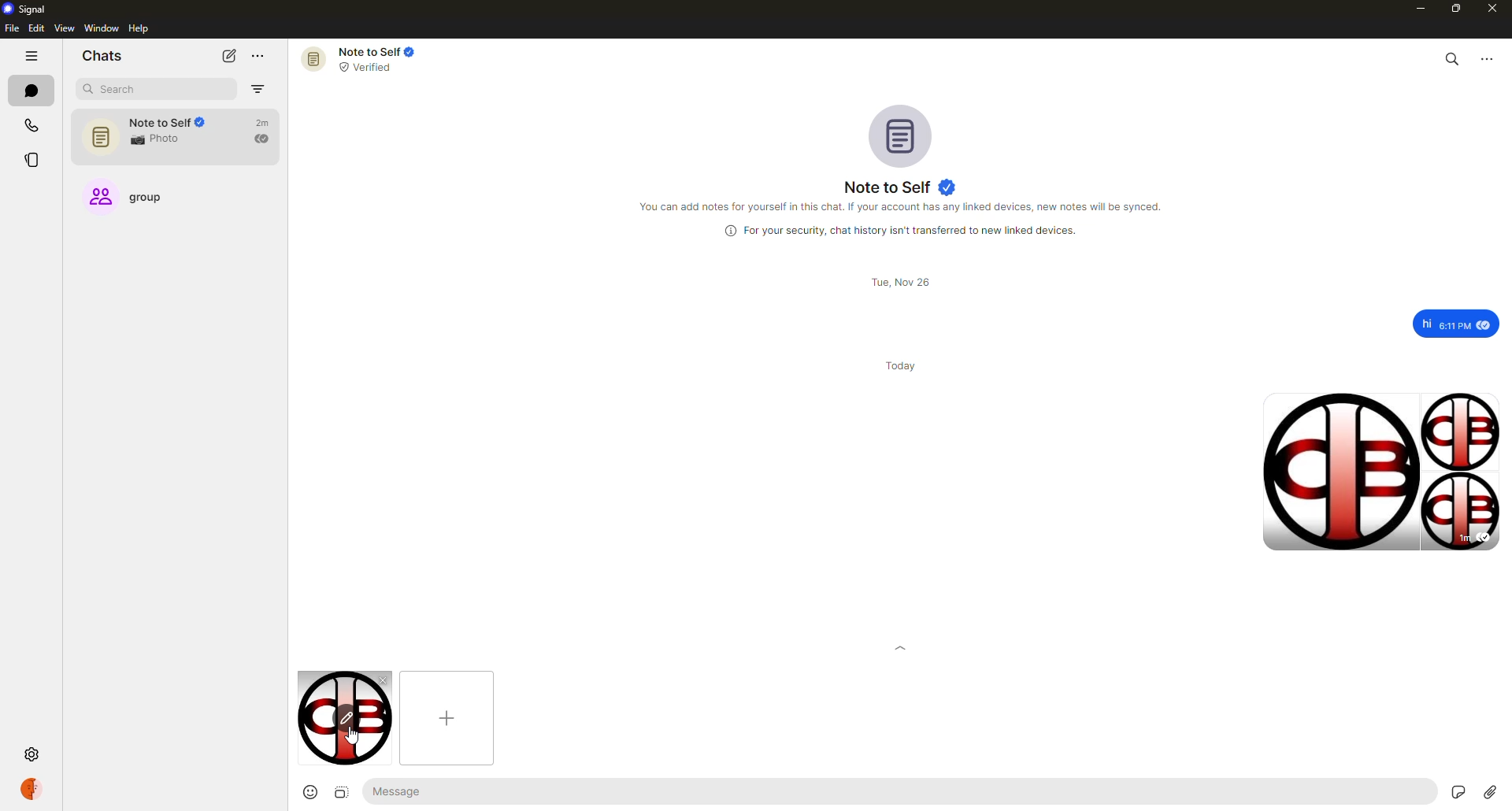 Image resolution: width=1512 pixels, height=811 pixels. What do you see at coordinates (29, 126) in the screenshot?
I see `calls` at bounding box center [29, 126].